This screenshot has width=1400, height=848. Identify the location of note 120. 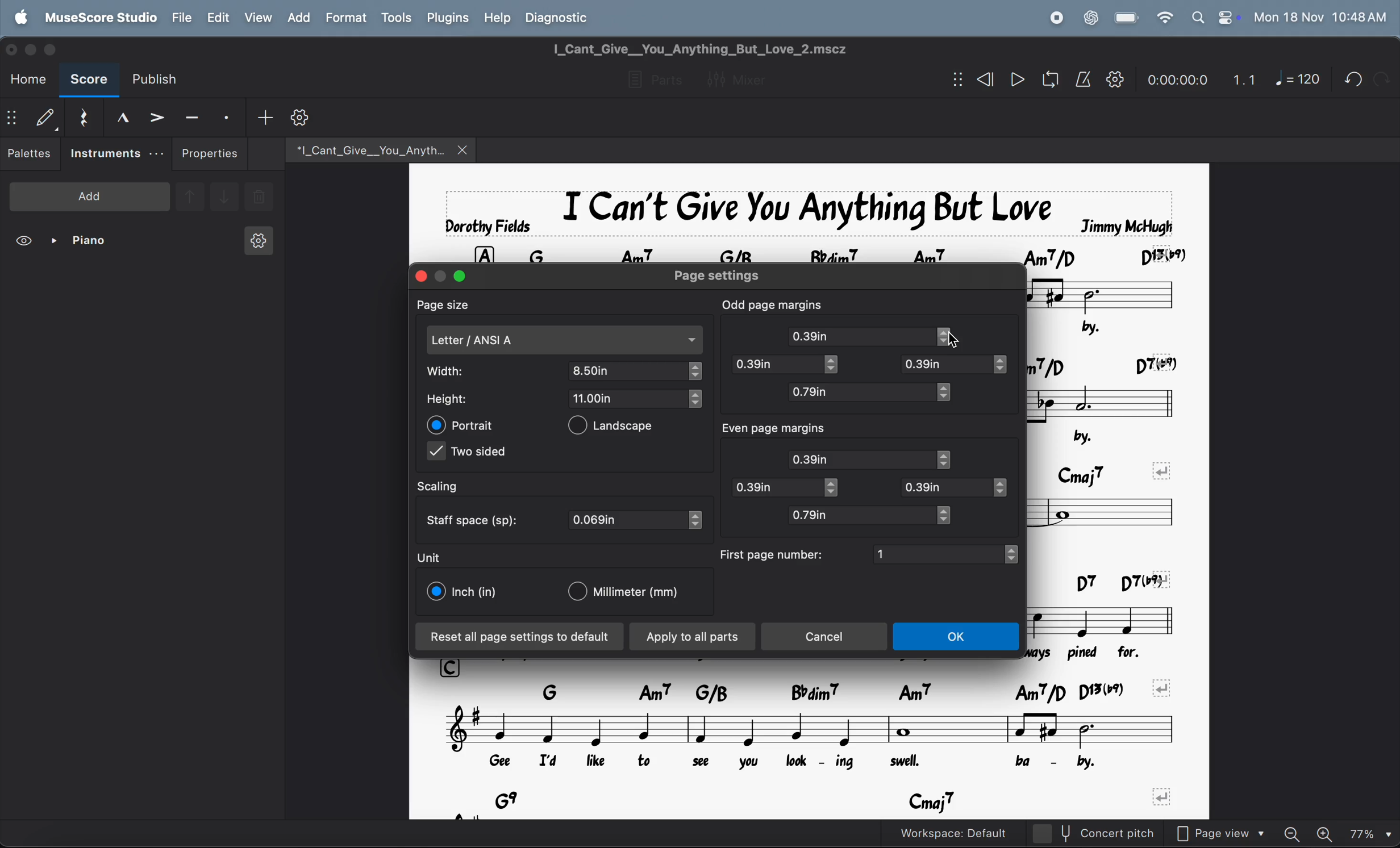
(1298, 80).